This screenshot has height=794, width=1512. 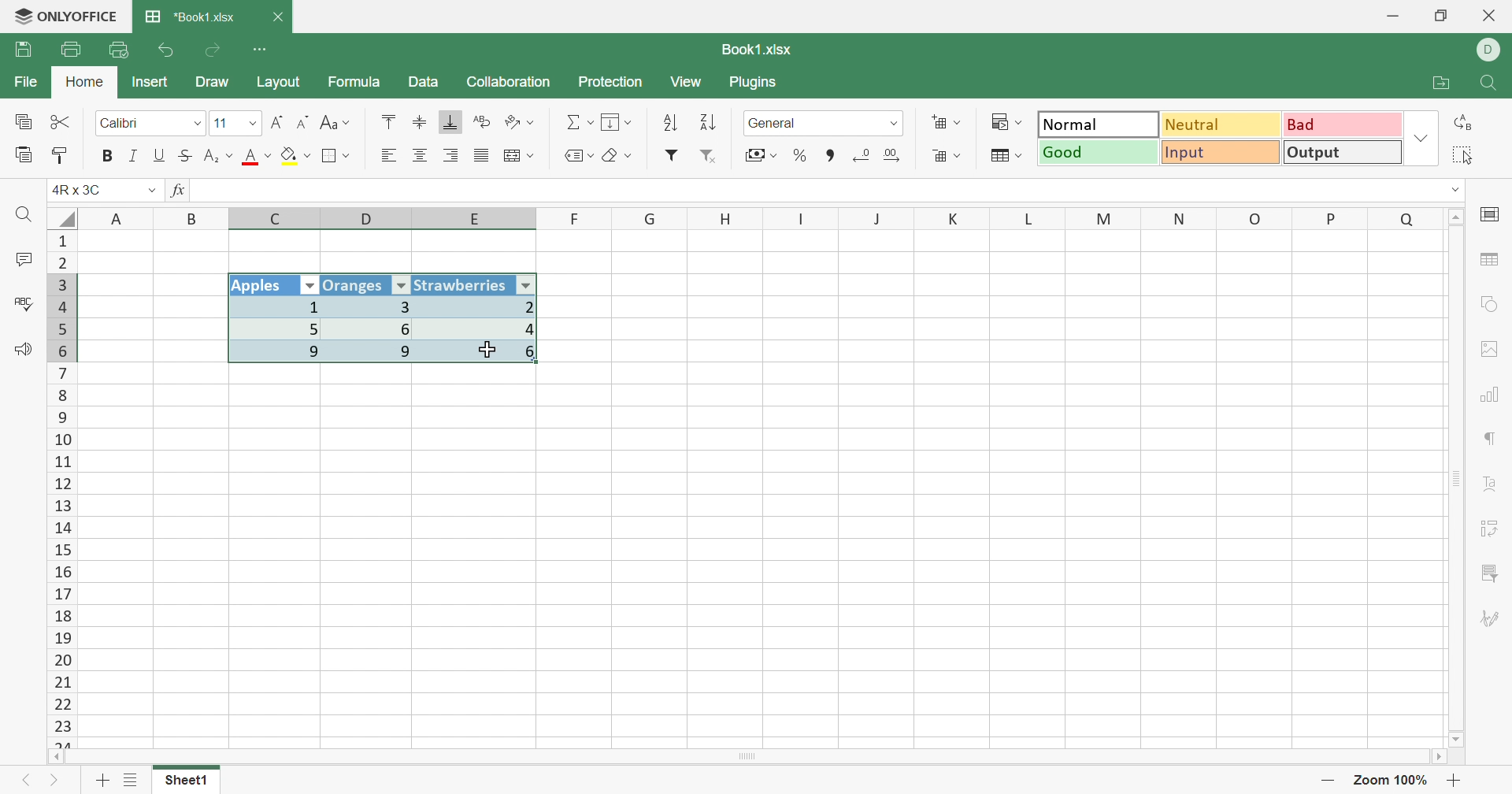 I want to click on Increase decimals, so click(x=899, y=155).